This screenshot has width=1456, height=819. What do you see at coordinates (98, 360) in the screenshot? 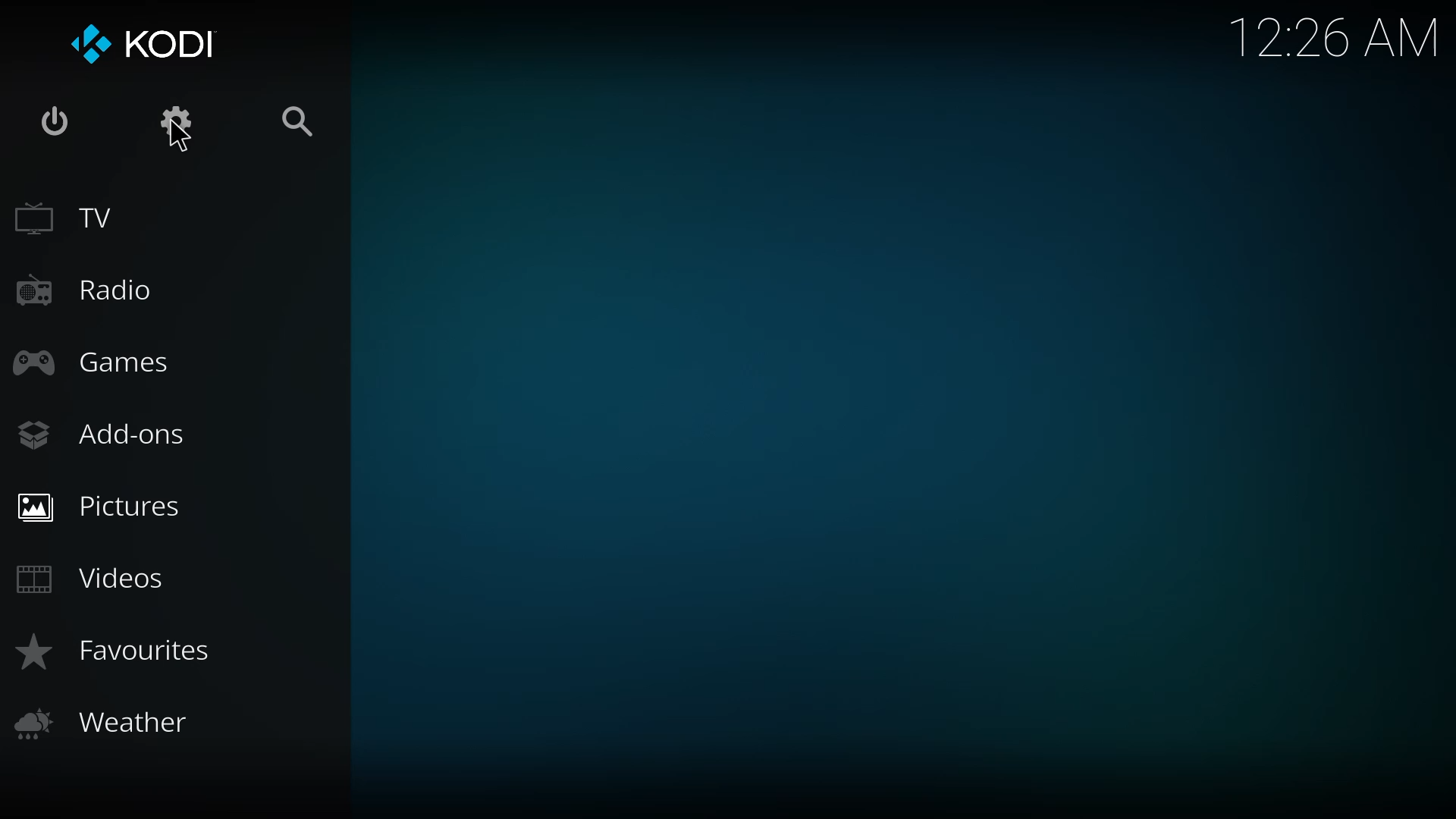
I see `games` at bounding box center [98, 360].